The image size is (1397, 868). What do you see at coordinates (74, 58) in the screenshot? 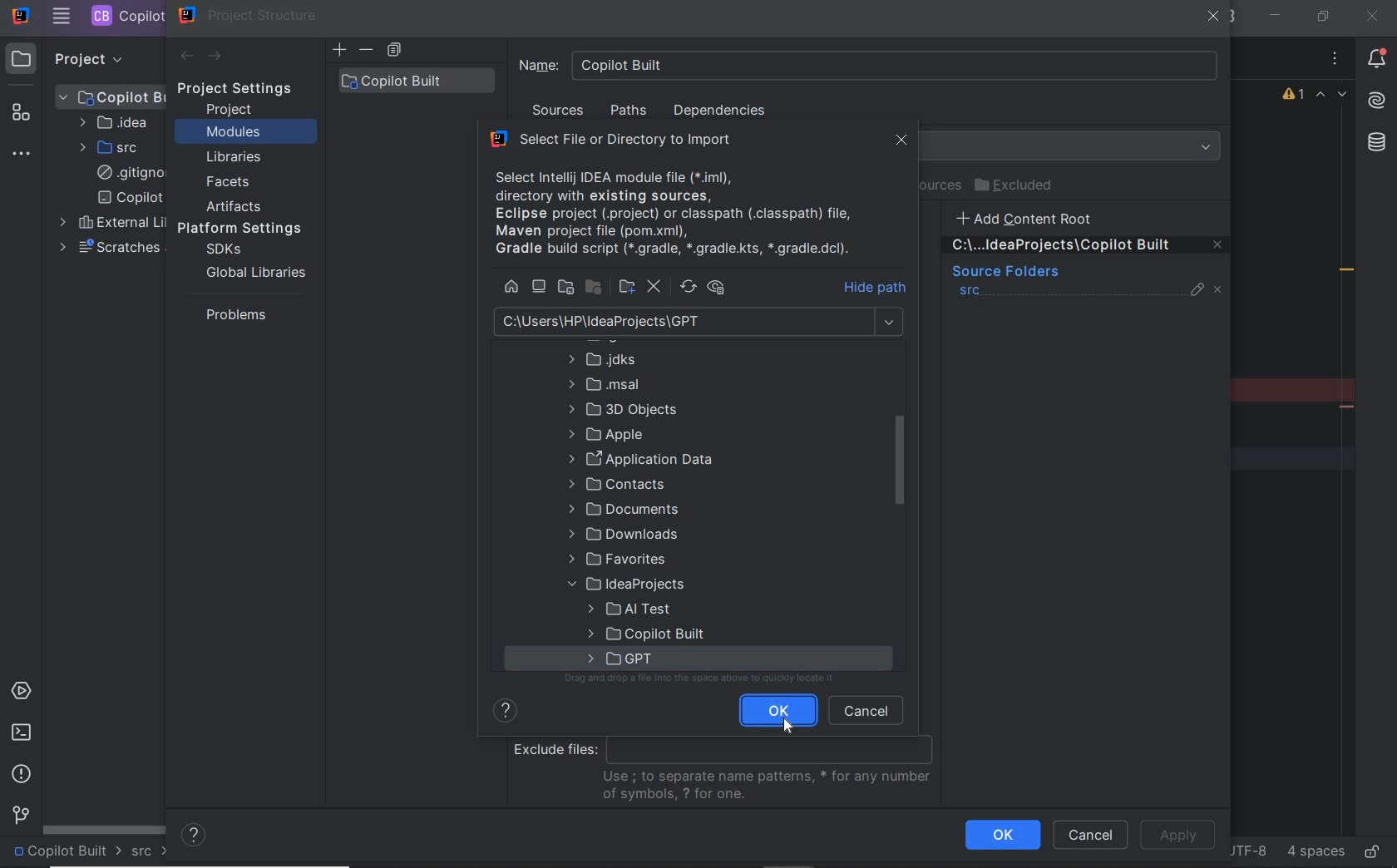
I see `PROJECT` at bounding box center [74, 58].